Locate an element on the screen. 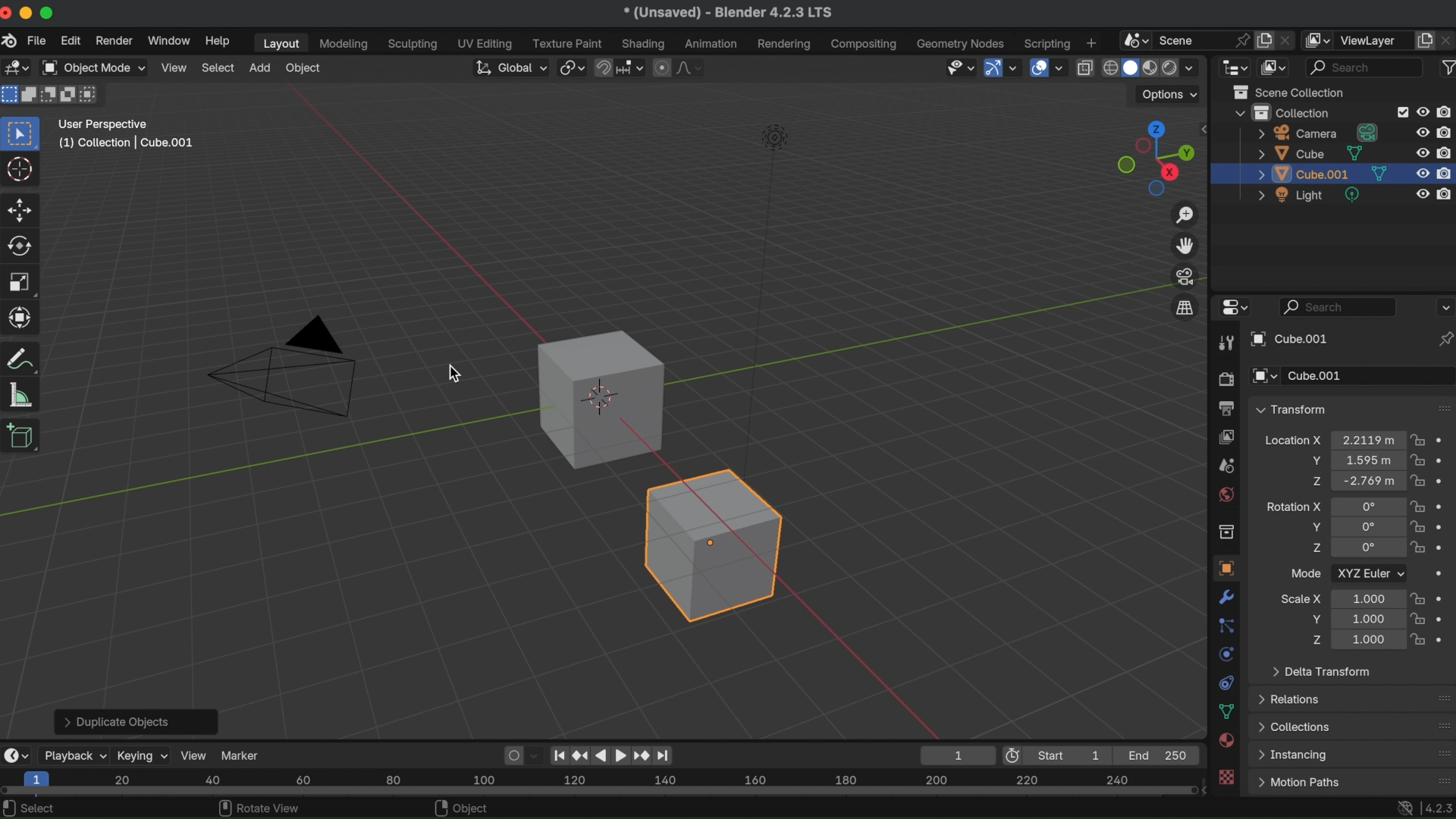  drag handles is located at coordinates (1441, 726).